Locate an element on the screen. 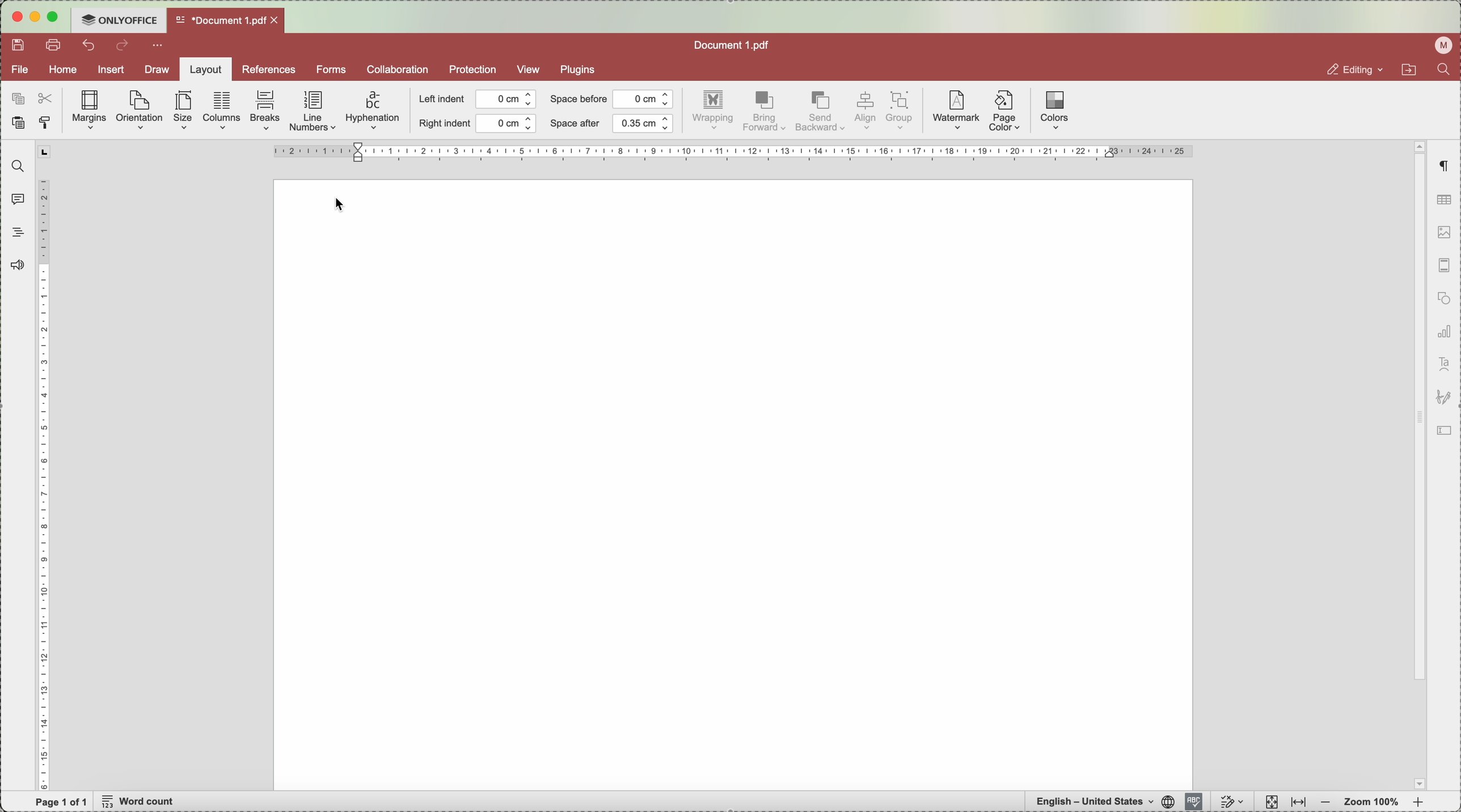 The image size is (1461, 812). spelling activated is located at coordinates (1193, 801).